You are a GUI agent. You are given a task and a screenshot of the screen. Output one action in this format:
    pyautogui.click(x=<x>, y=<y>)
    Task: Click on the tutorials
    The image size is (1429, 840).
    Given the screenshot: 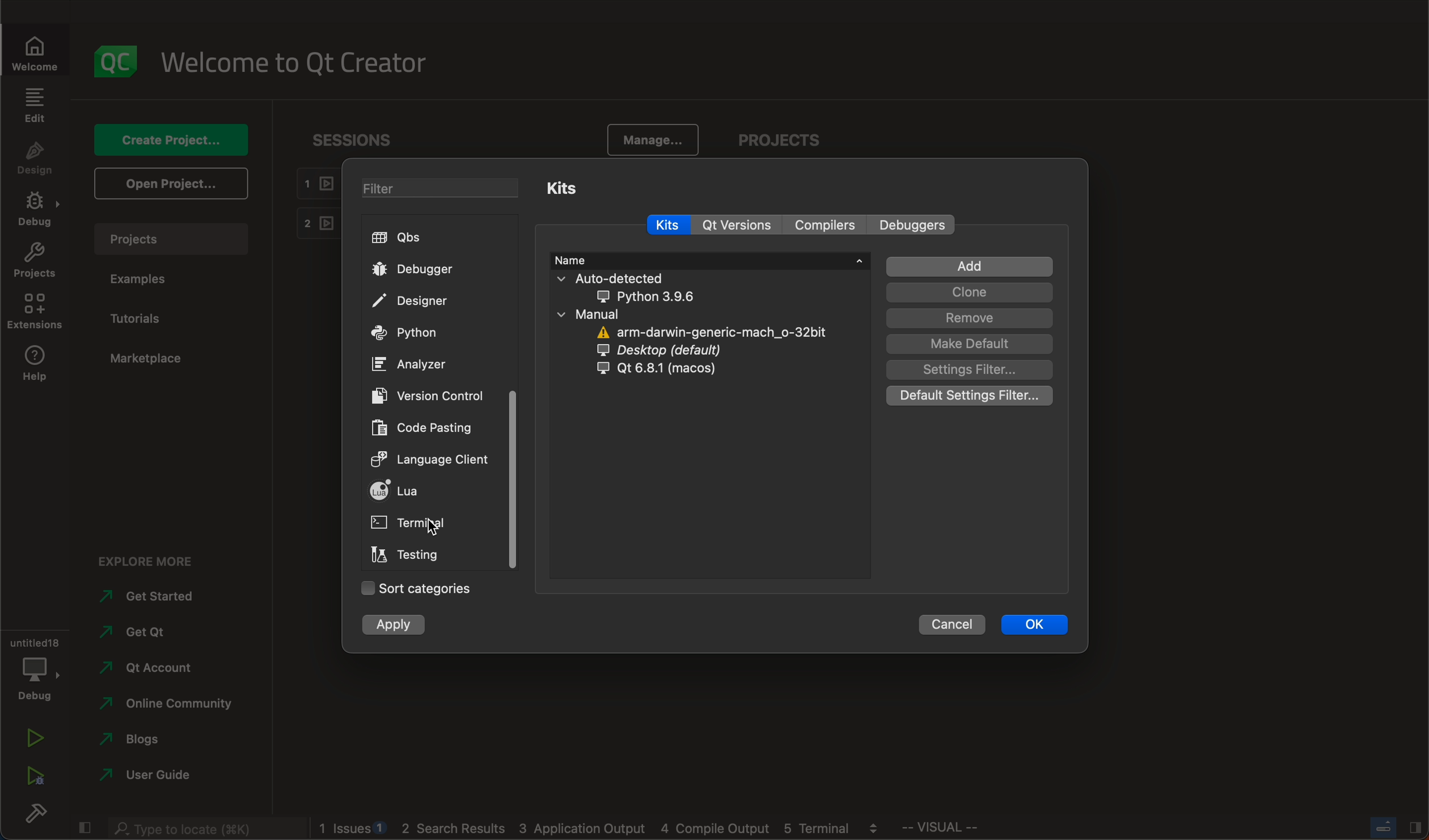 What is the action you would take?
    pyautogui.click(x=149, y=317)
    